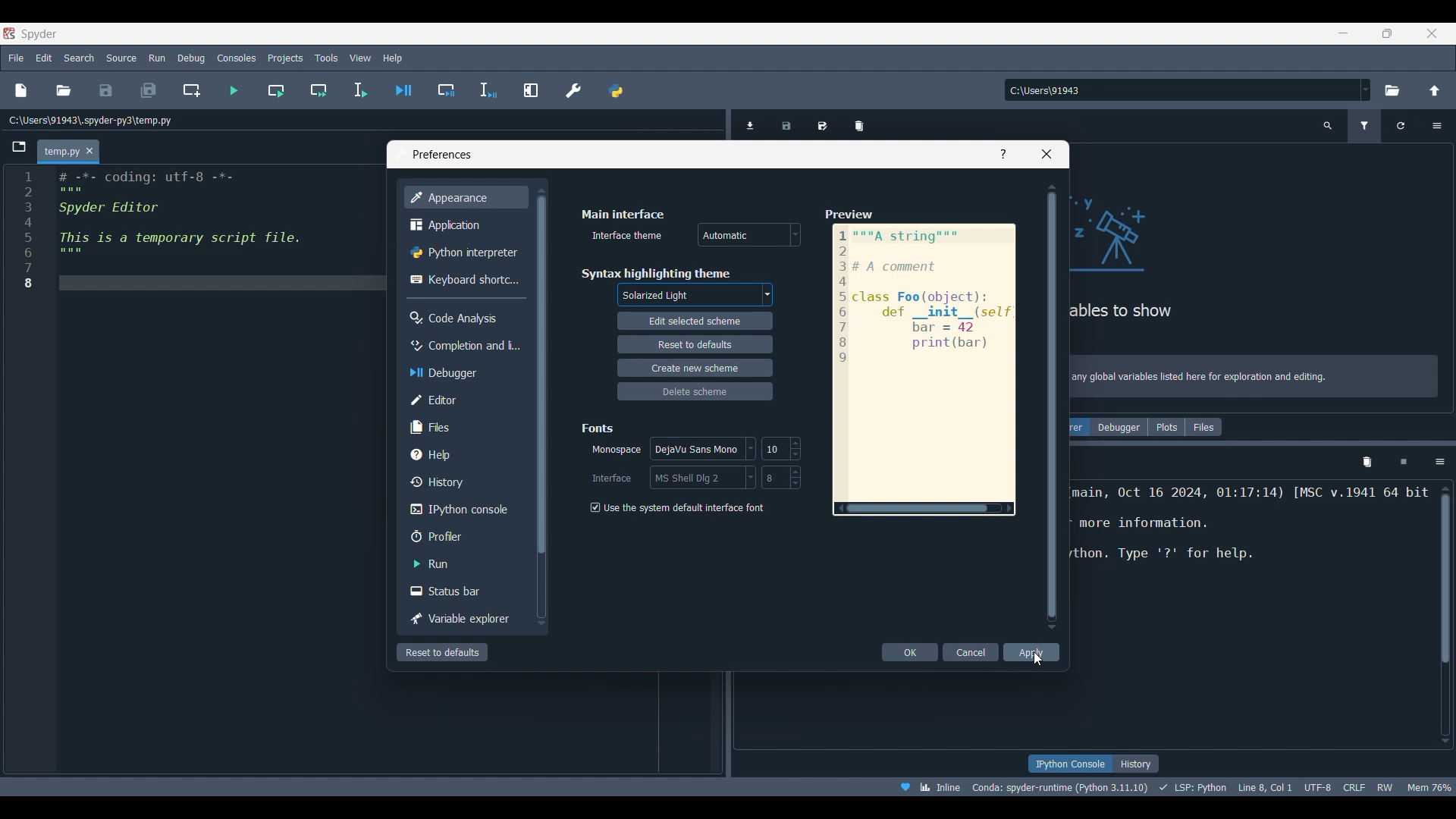 This screenshot has width=1456, height=819. What do you see at coordinates (1316, 786) in the screenshot?
I see `utf-8` at bounding box center [1316, 786].